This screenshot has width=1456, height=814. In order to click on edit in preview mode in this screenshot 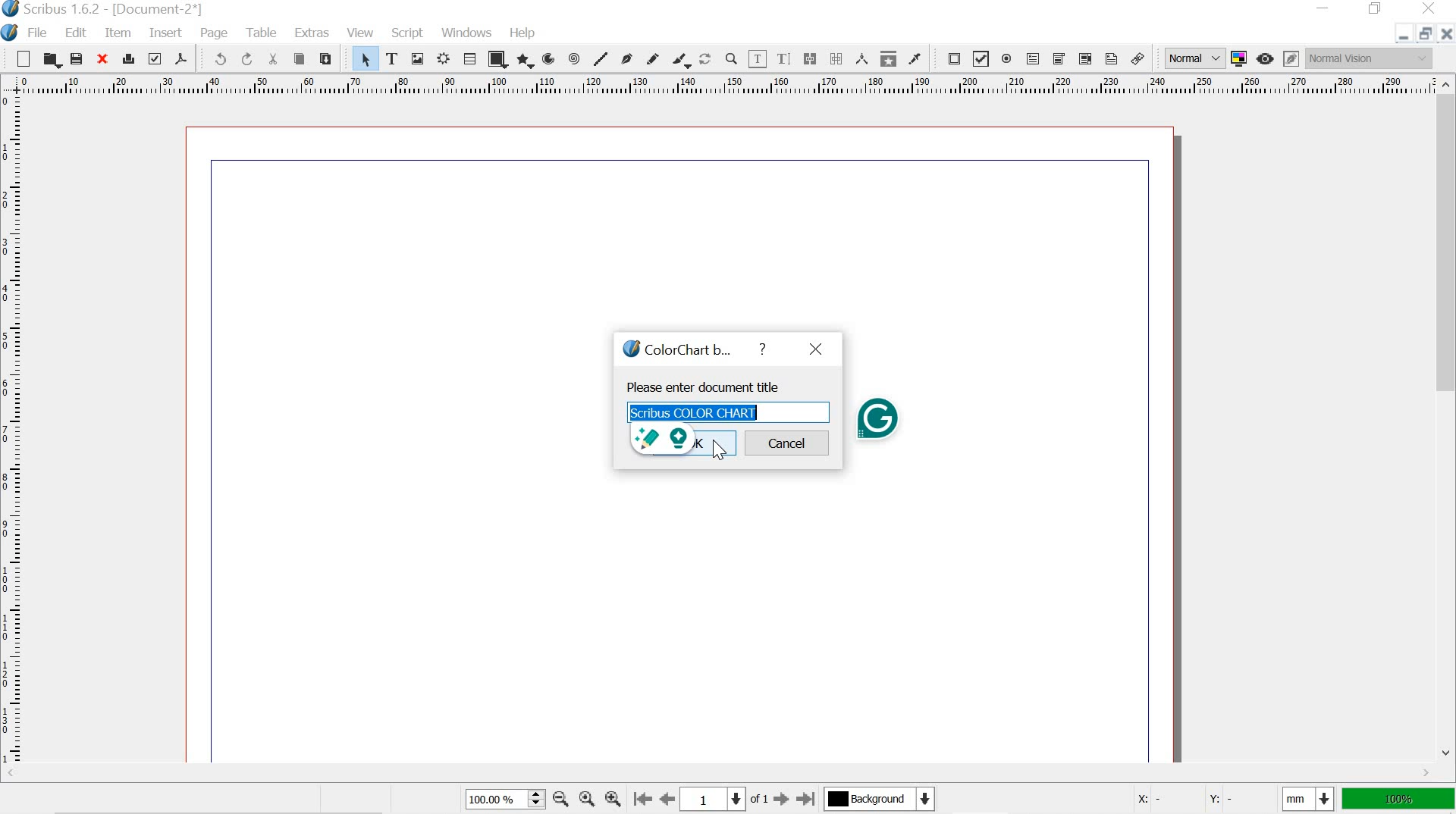, I will do `click(1291, 58)`.